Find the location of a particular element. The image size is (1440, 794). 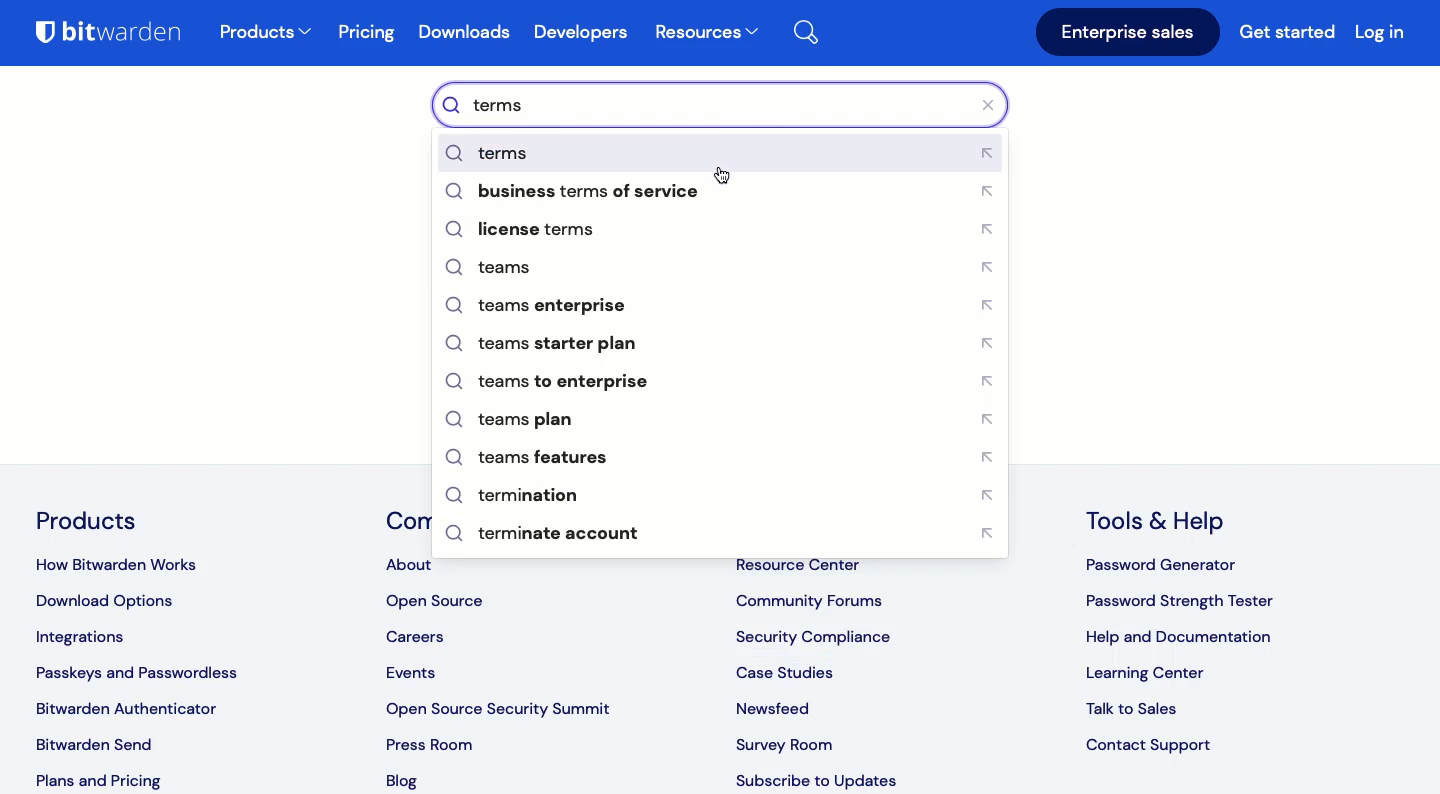

Enterprise sales is located at coordinates (1128, 33).